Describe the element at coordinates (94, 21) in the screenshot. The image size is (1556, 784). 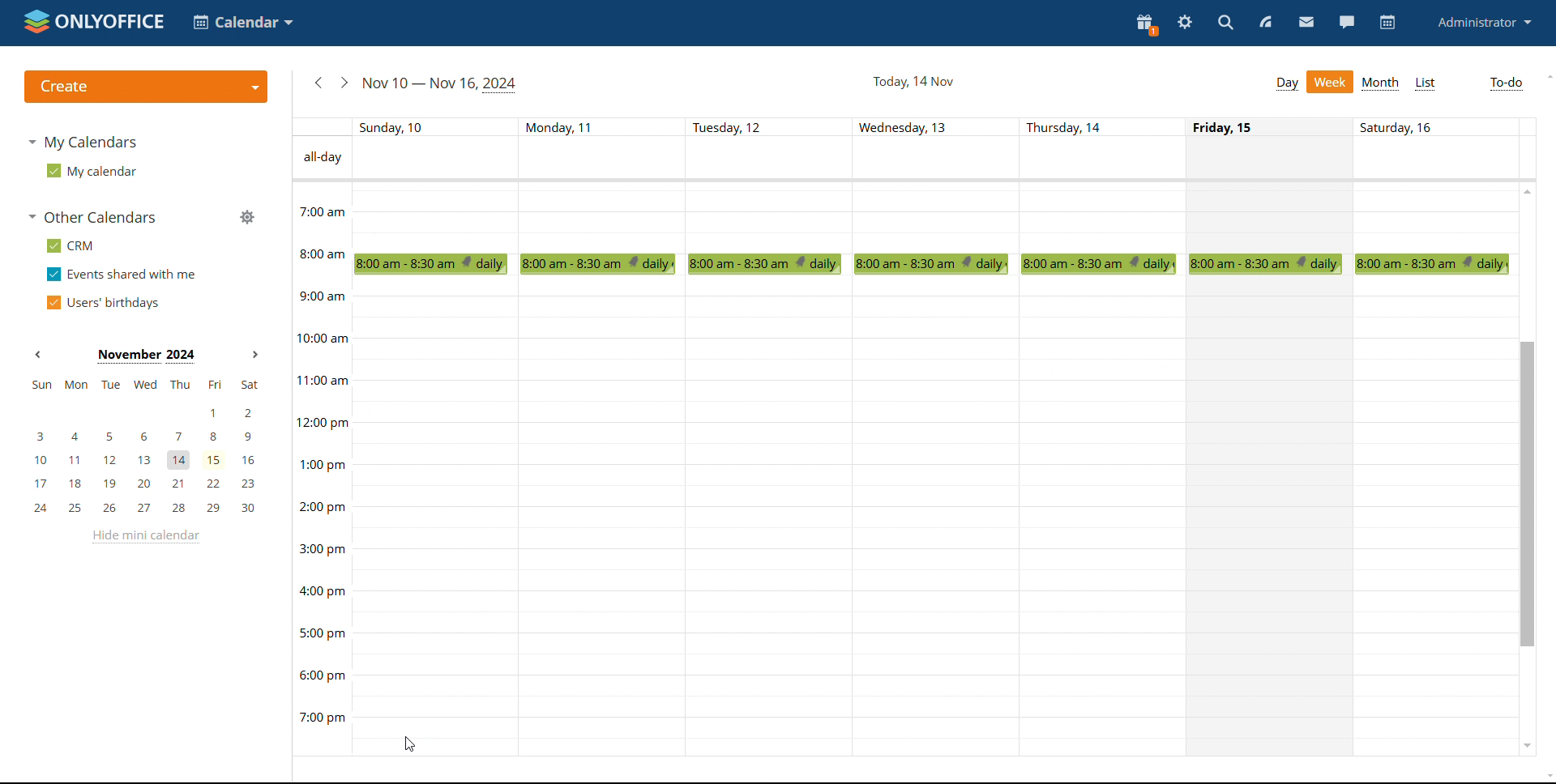
I see `logo` at that location.